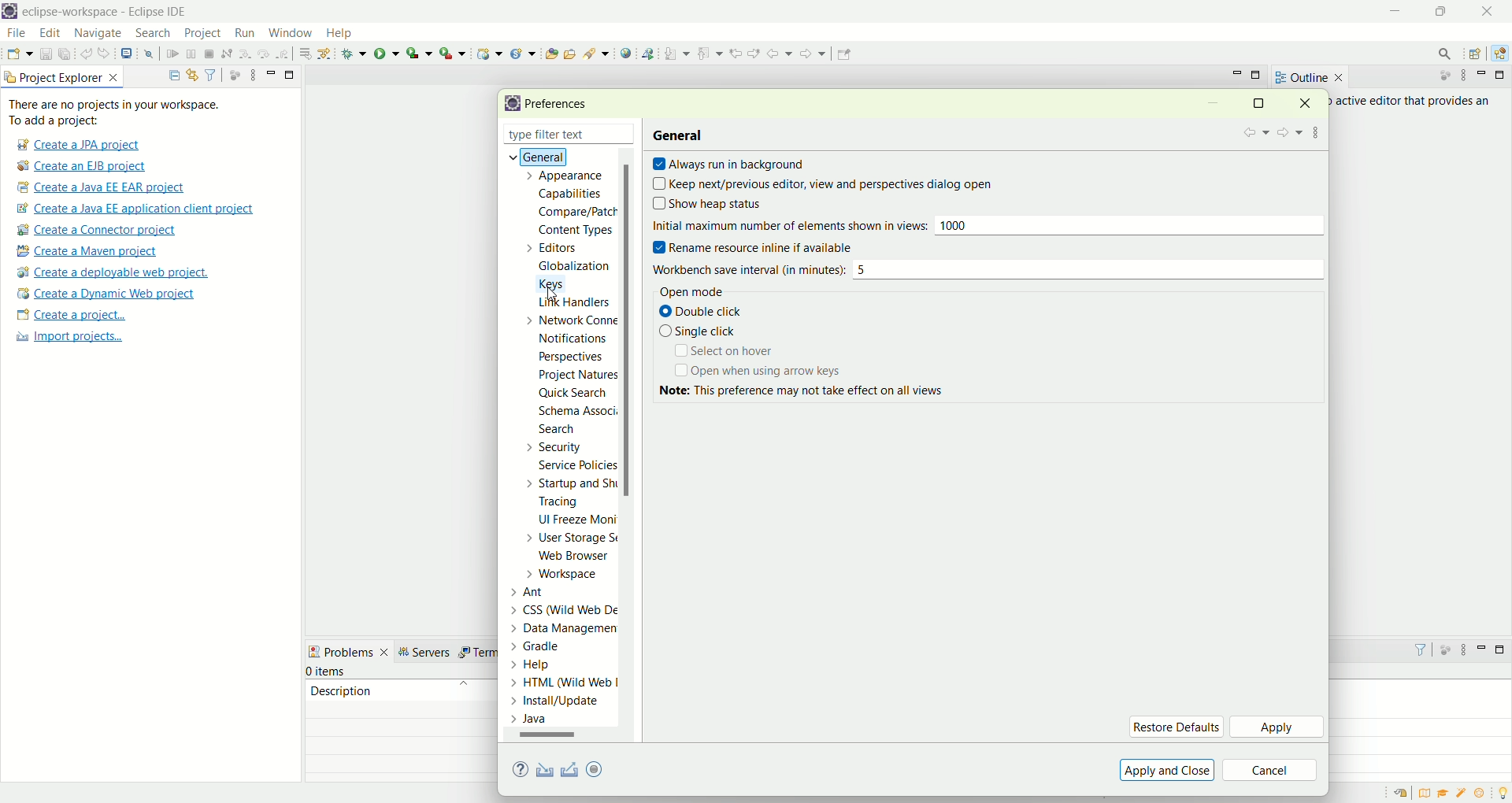 This screenshot has height=803, width=1512. What do you see at coordinates (191, 55) in the screenshot?
I see `suspend` at bounding box center [191, 55].